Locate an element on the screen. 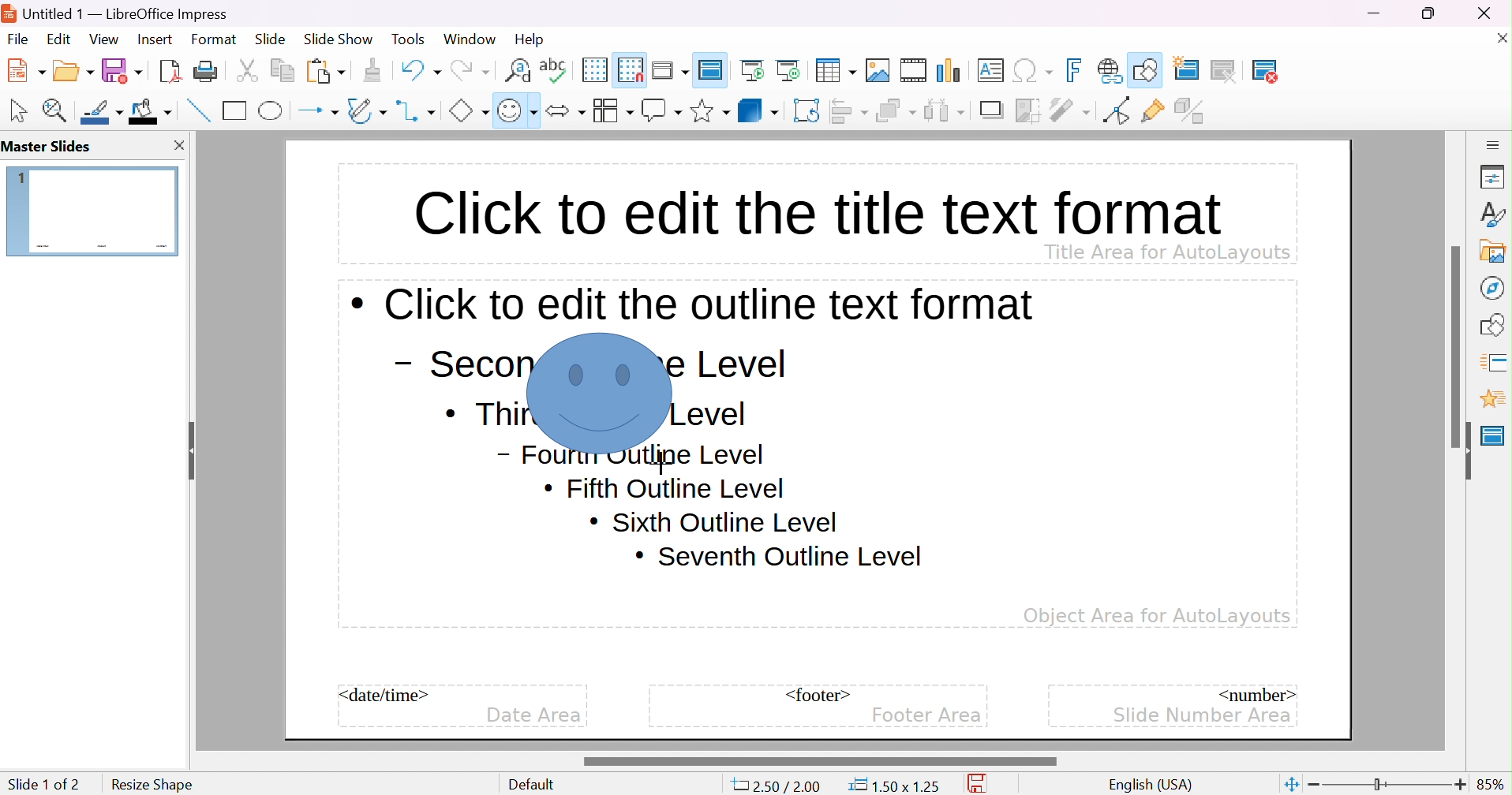 The width and height of the screenshot is (1512, 795). redo is located at coordinates (469, 68).